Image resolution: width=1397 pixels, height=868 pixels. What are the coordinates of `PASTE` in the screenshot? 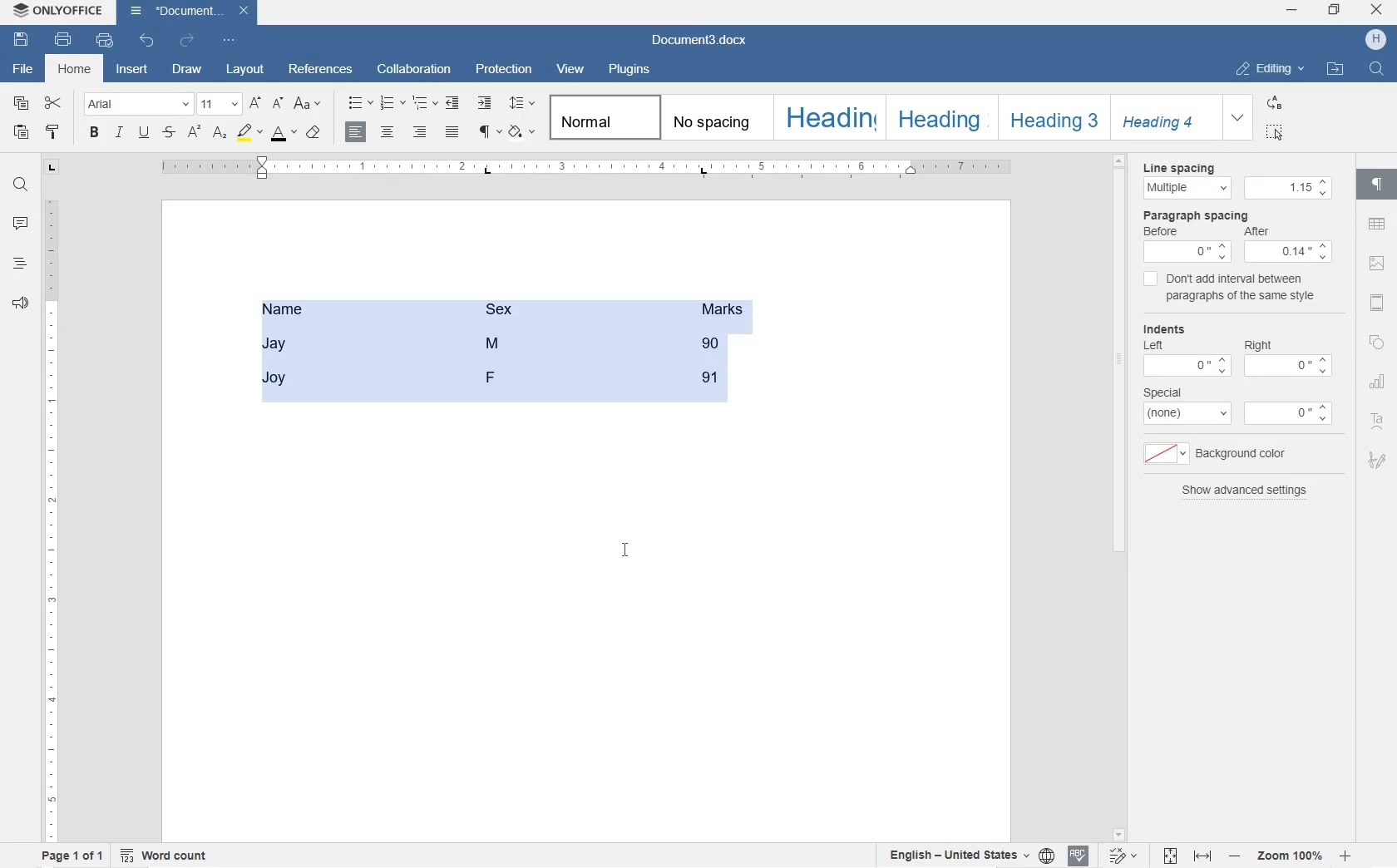 It's located at (22, 133).